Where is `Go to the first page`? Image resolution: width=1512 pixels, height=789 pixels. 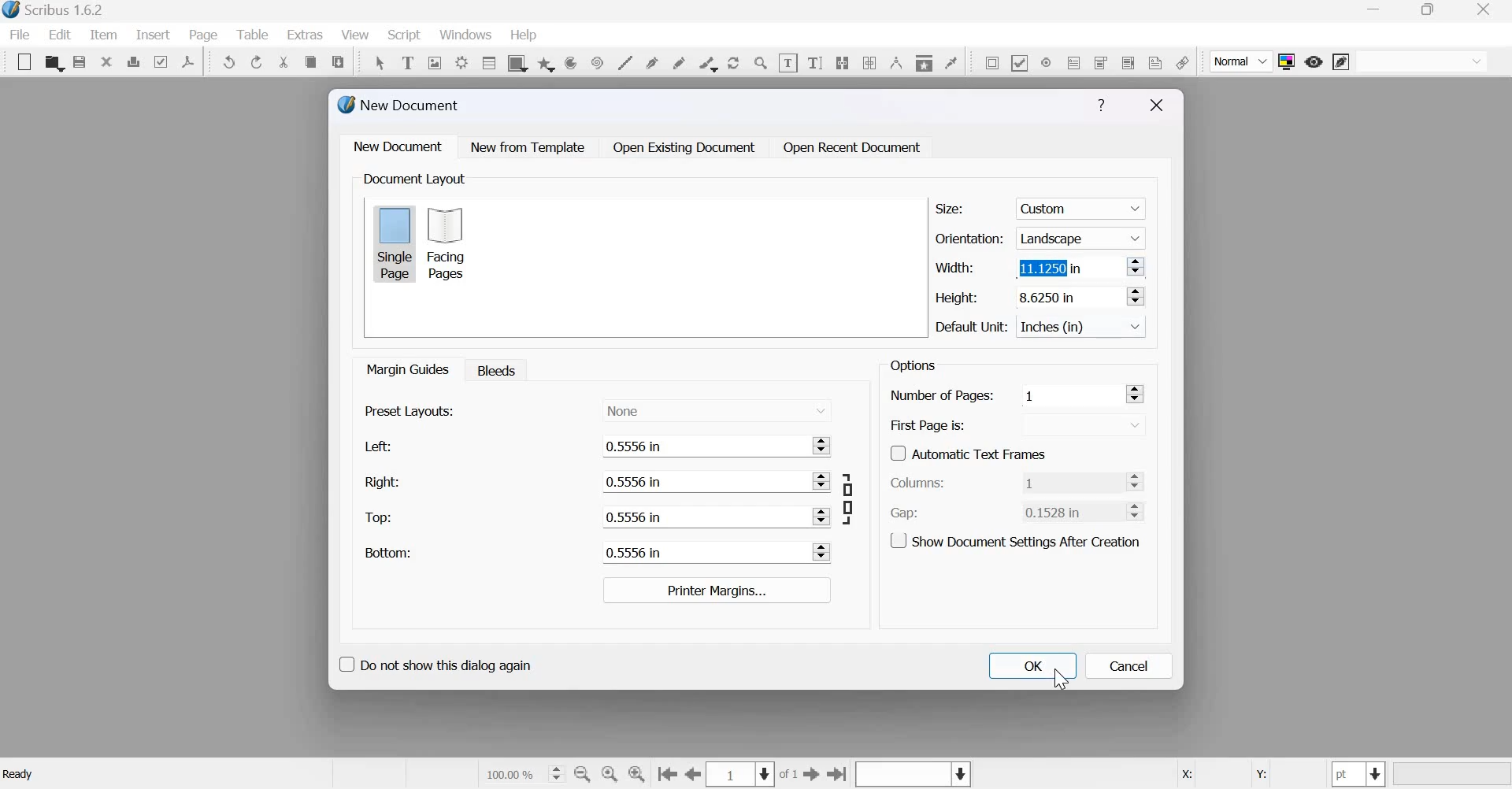
Go to the first page is located at coordinates (667, 775).